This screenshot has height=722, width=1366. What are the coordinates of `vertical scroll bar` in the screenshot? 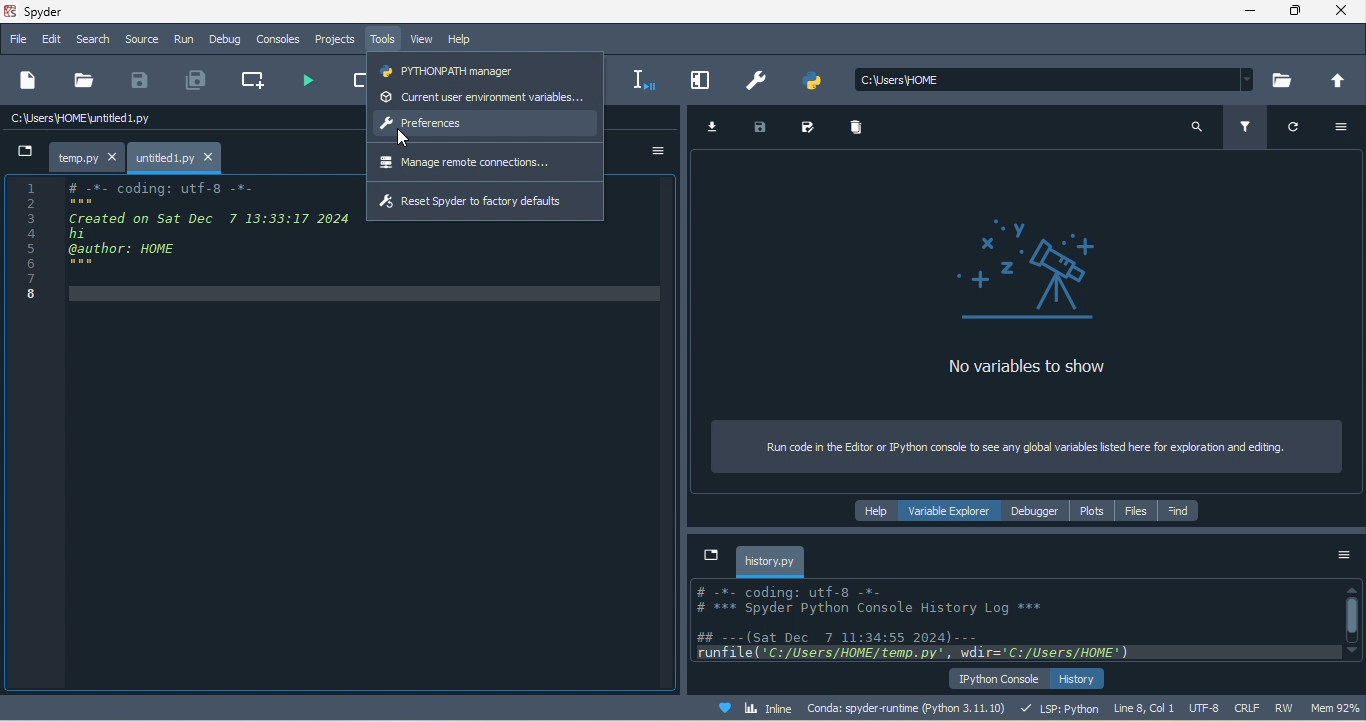 It's located at (1352, 618).